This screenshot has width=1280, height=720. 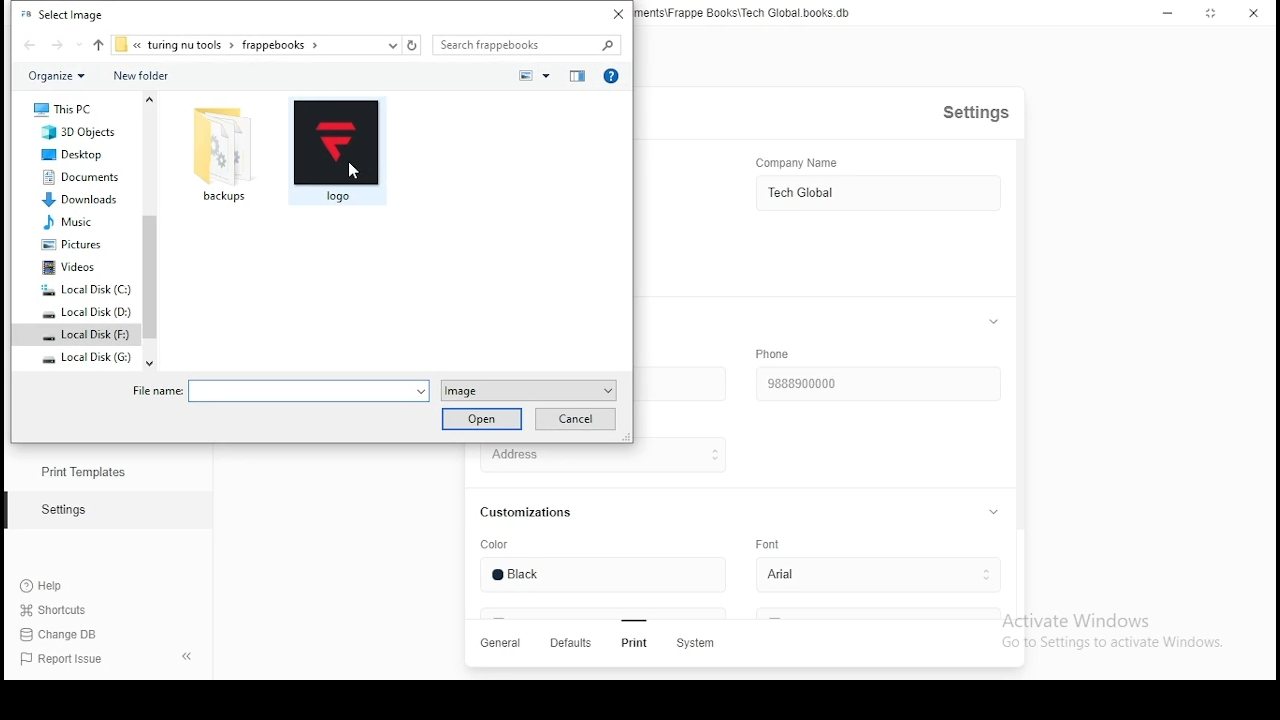 I want to click on 3d Objects , so click(x=78, y=133).